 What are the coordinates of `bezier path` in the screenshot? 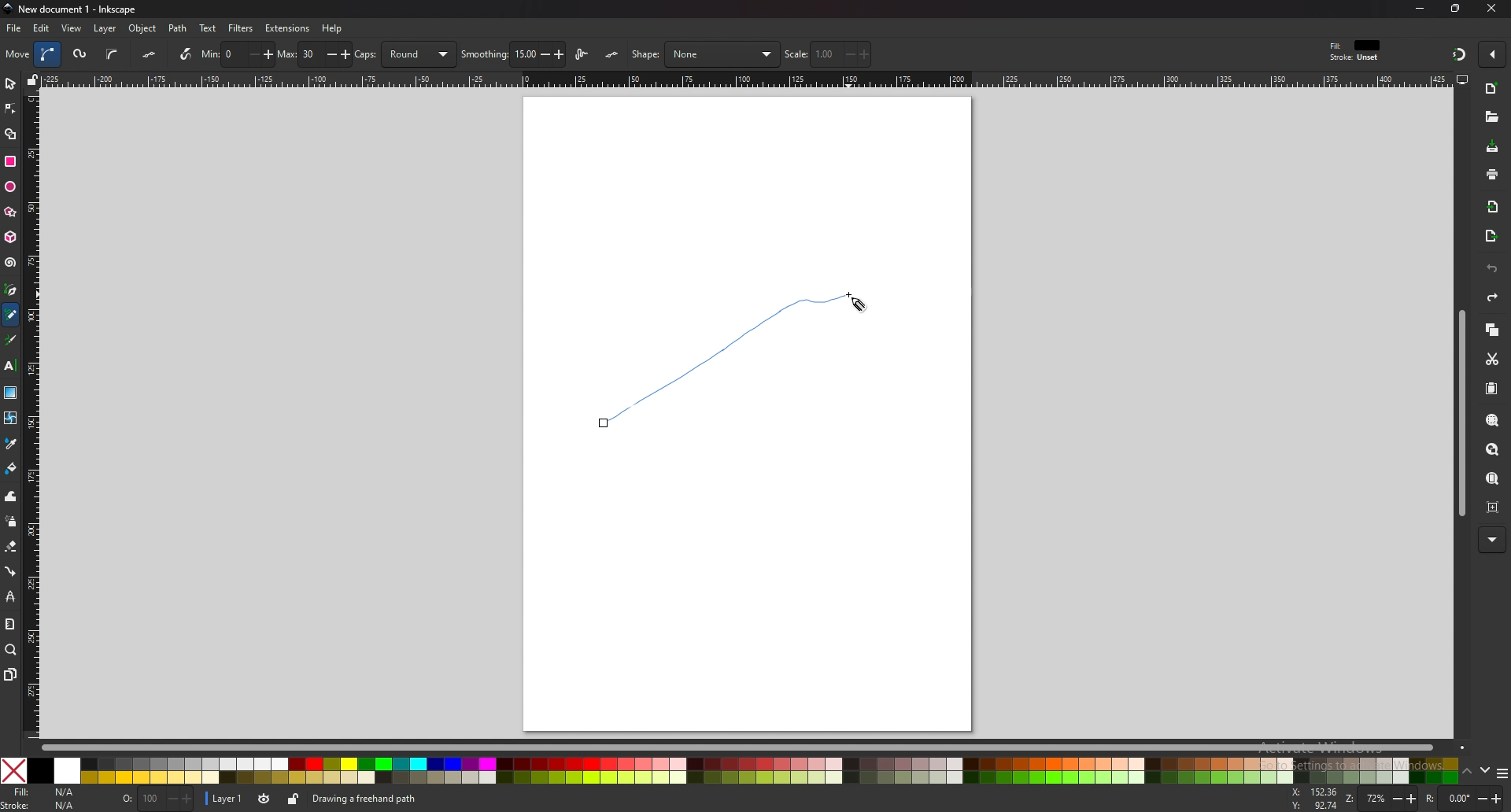 It's located at (50, 54).